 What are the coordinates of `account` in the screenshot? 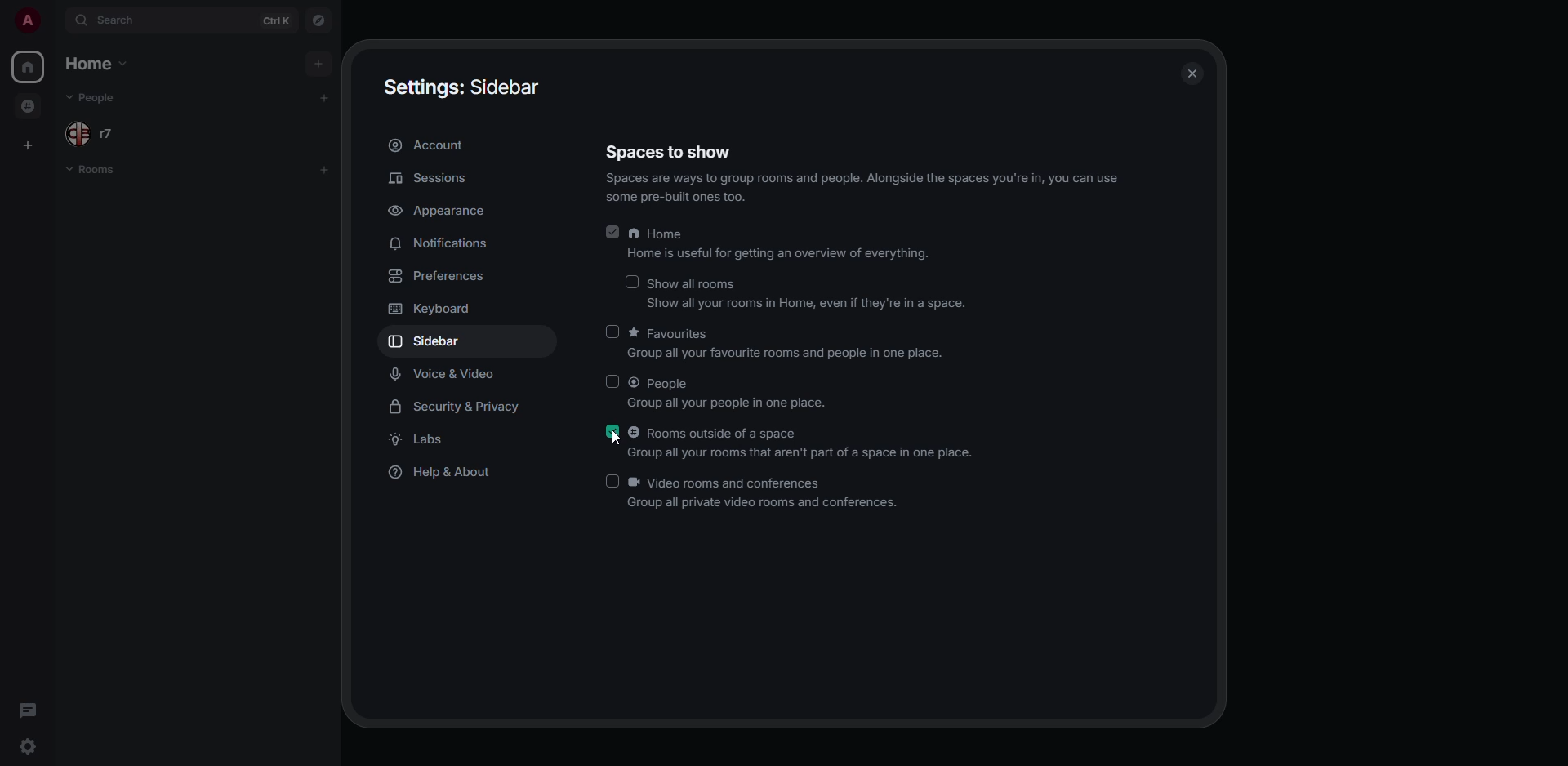 It's located at (433, 145).